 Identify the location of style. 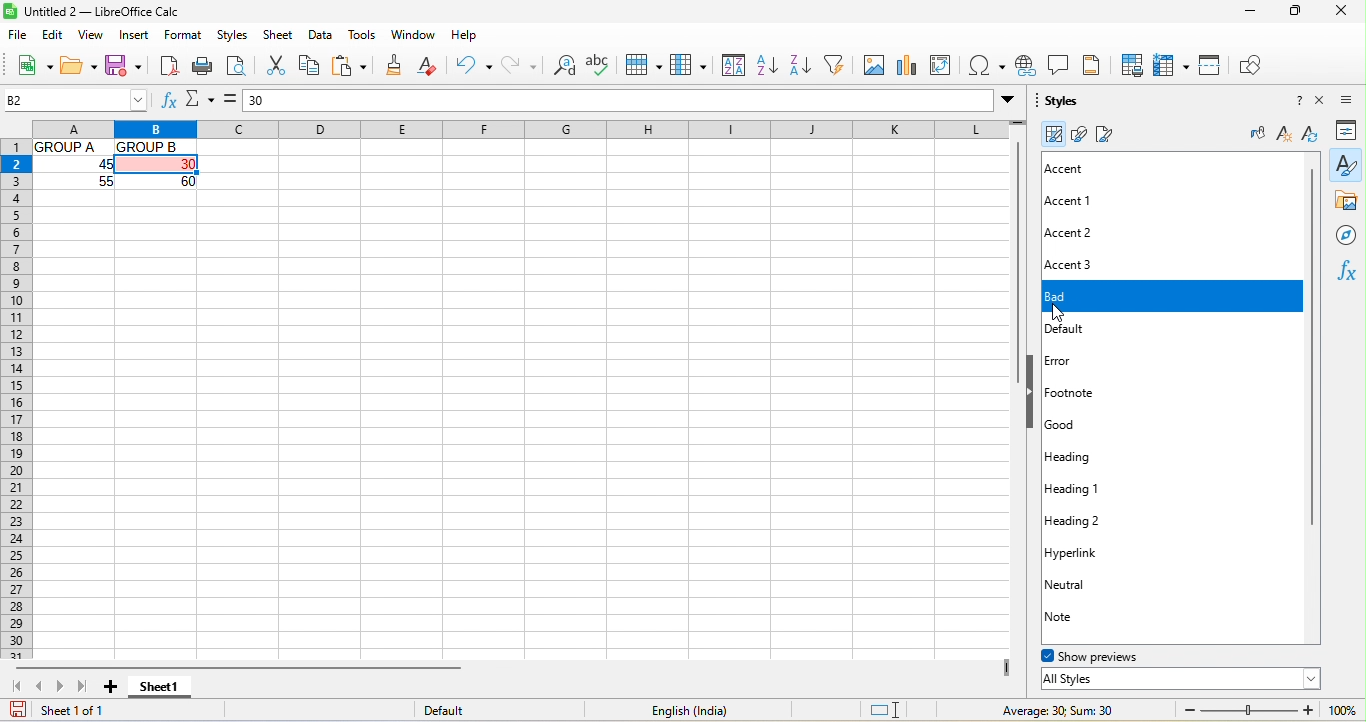
(1346, 165).